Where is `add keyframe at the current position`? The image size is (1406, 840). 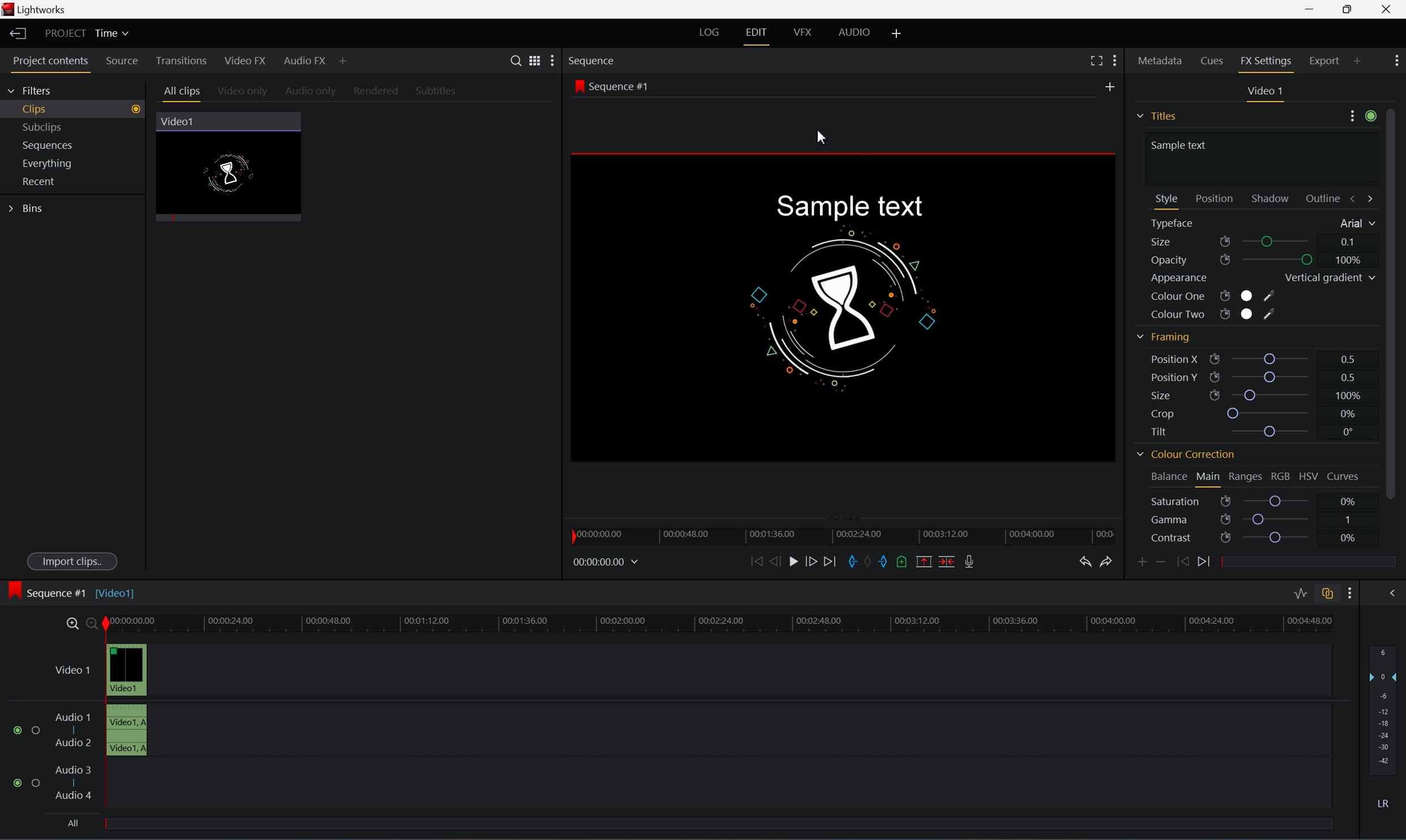
add keyframe at the current position is located at coordinates (1143, 562).